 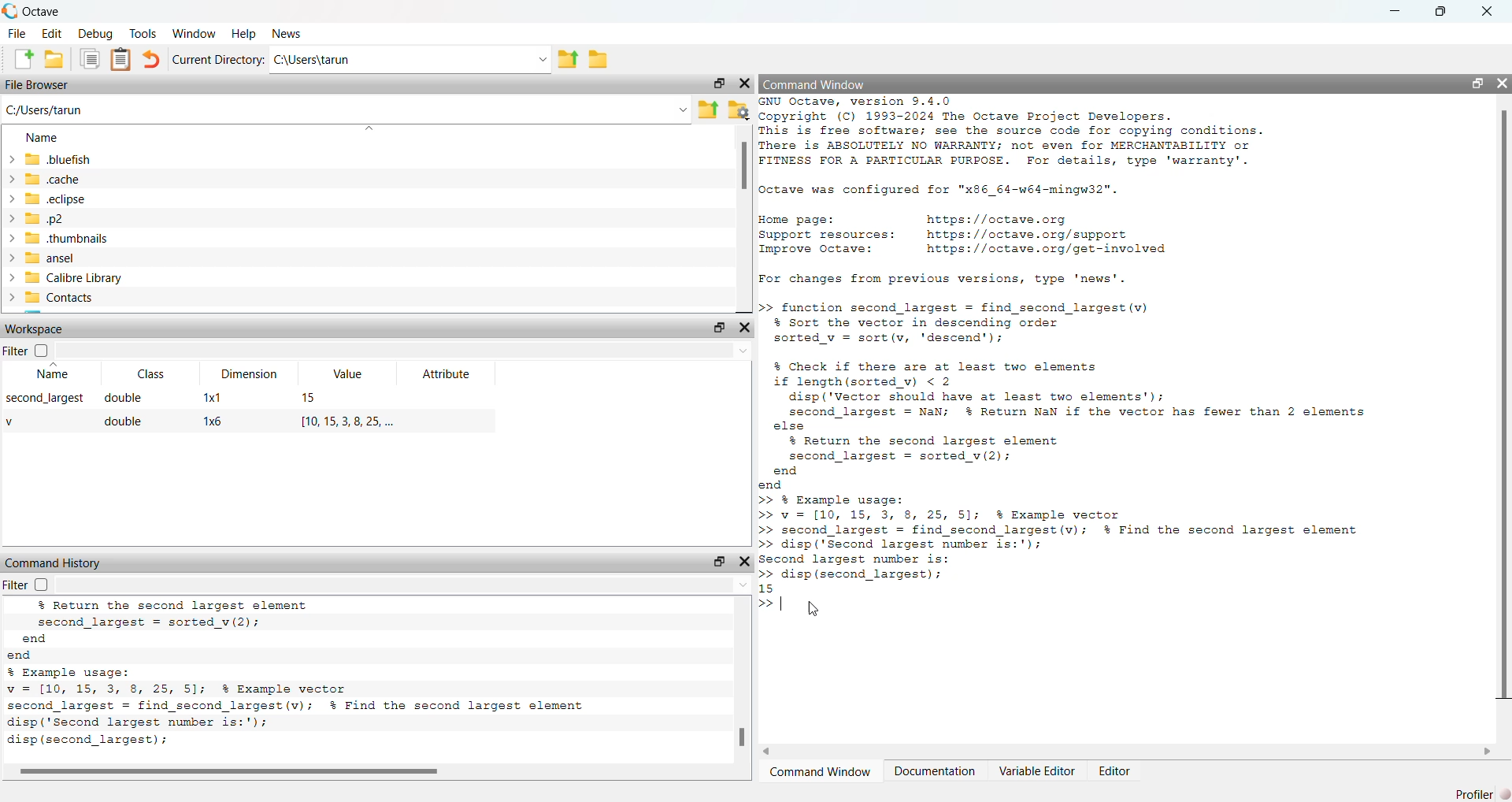 What do you see at coordinates (61, 199) in the screenshot?
I see `.eclipse` at bounding box center [61, 199].